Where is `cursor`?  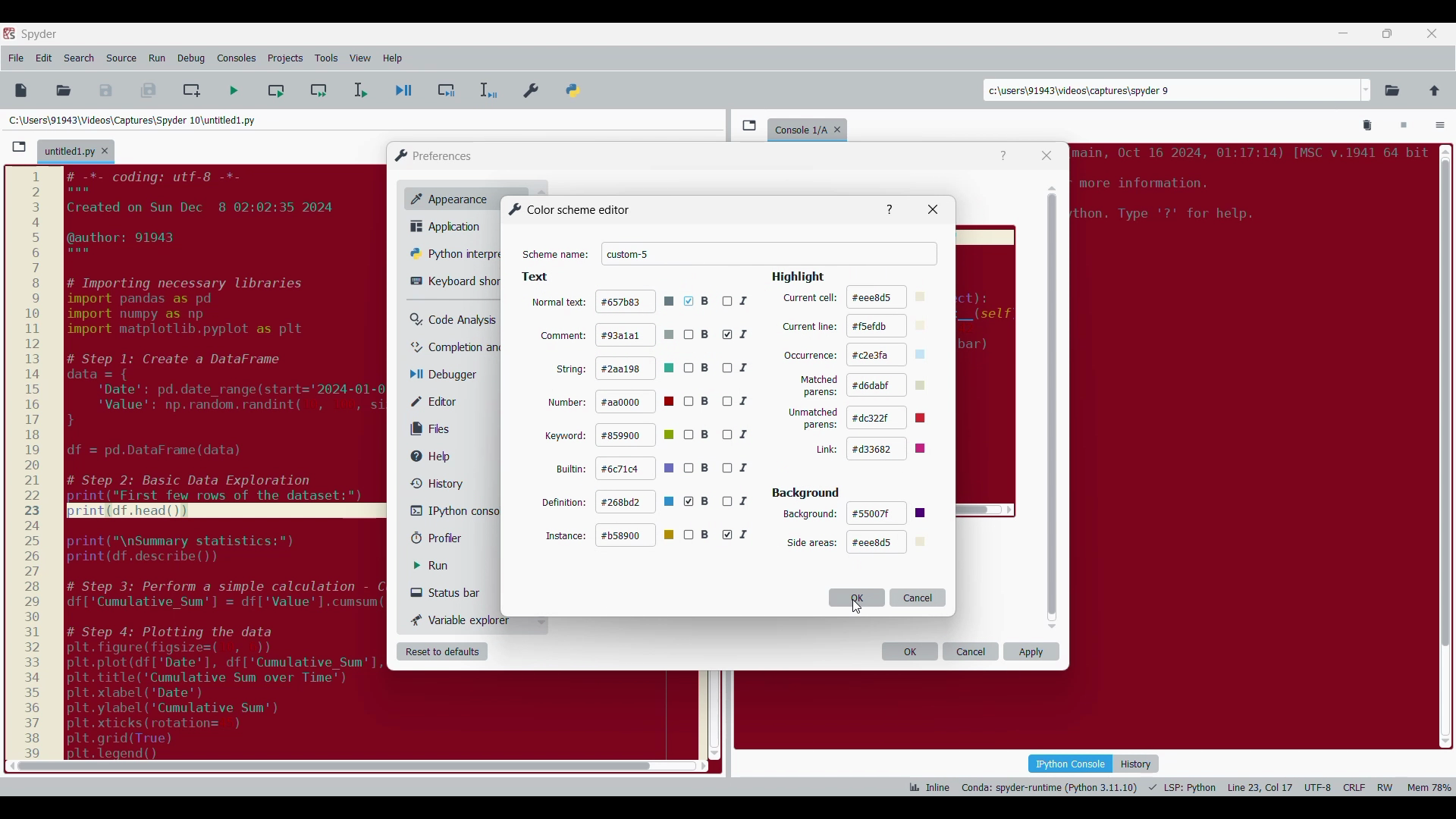 cursor is located at coordinates (855, 608).